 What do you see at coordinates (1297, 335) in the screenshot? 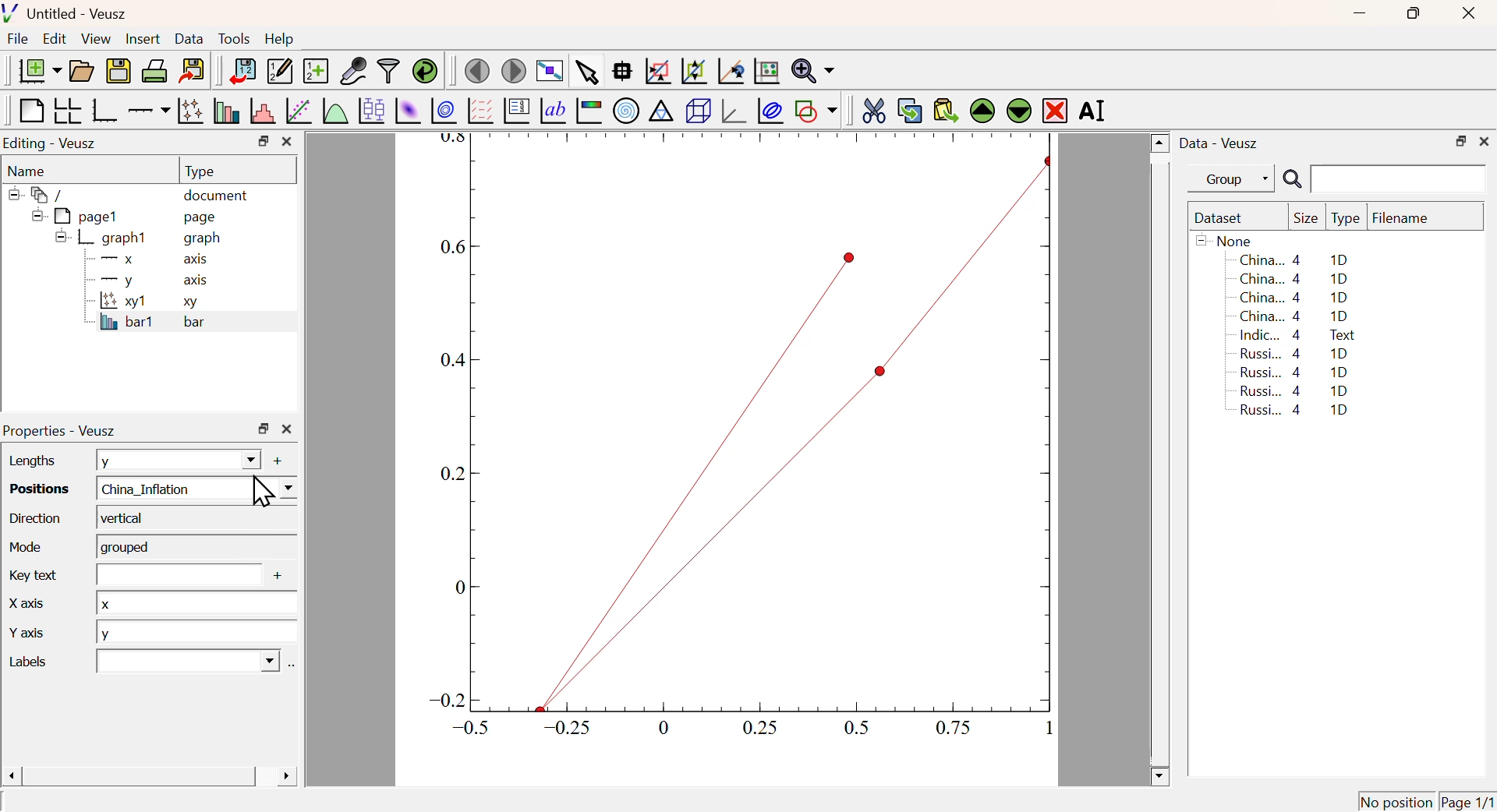
I see `Indic... 4 Text` at bounding box center [1297, 335].